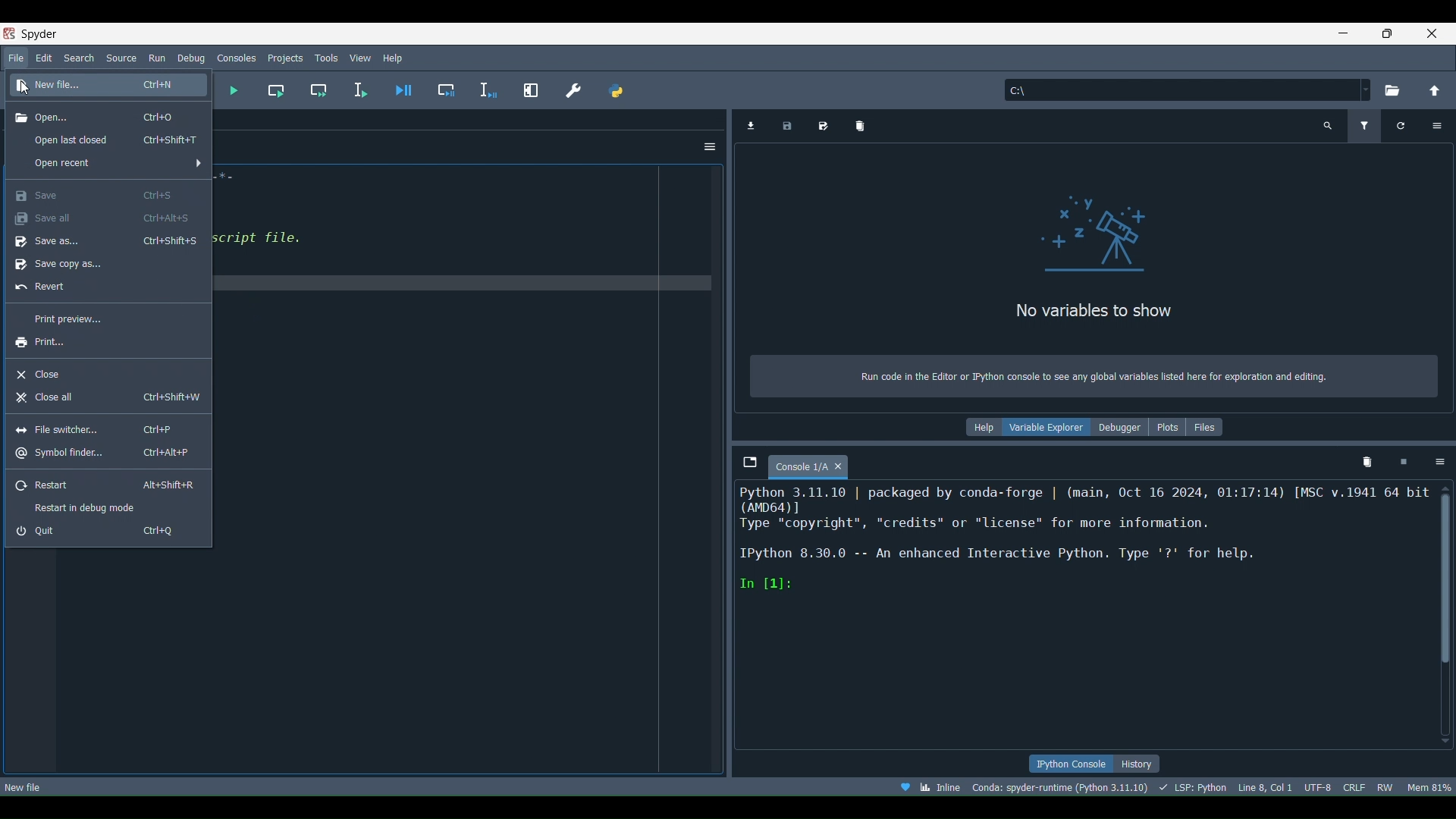  What do you see at coordinates (1366, 460) in the screenshot?
I see `Remove all variables from namespace` at bounding box center [1366, 460].